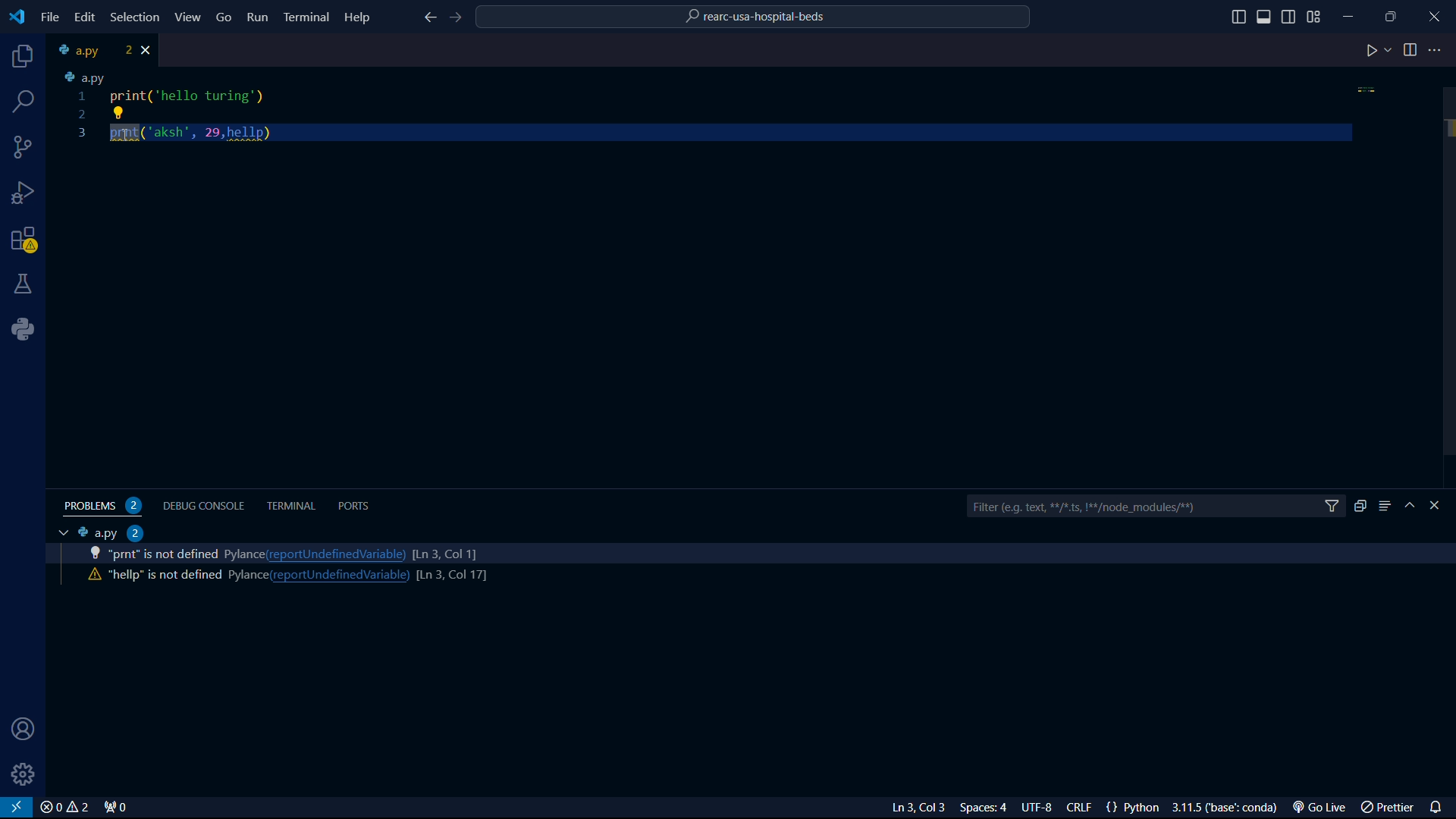 The image size is (1456, 819). I want to click on cursor, so click(129, 139).